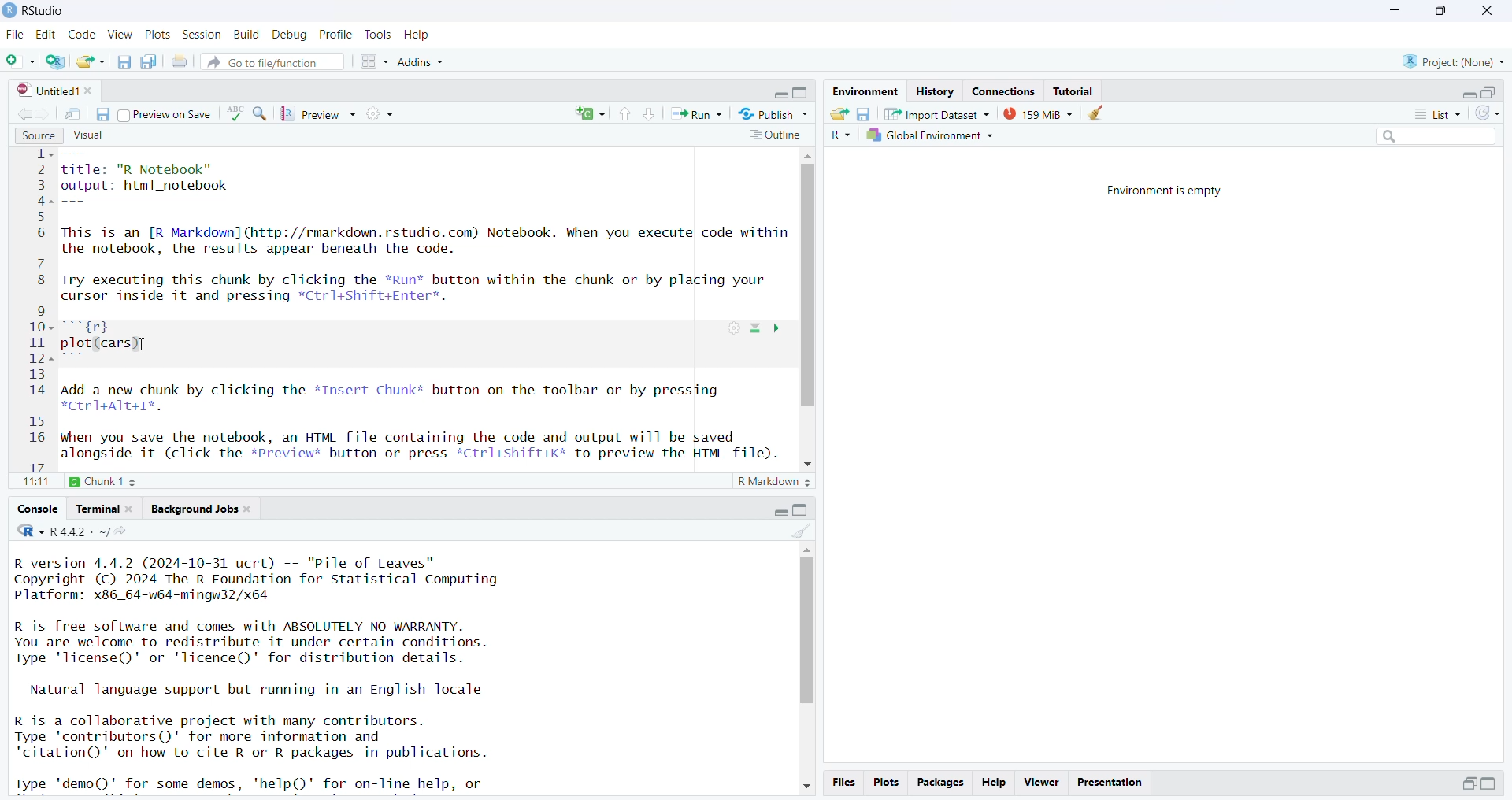  What do you see at coordinates (421, 64) in the screenshot?
I see `Addins` at bounding box center [421, 64].